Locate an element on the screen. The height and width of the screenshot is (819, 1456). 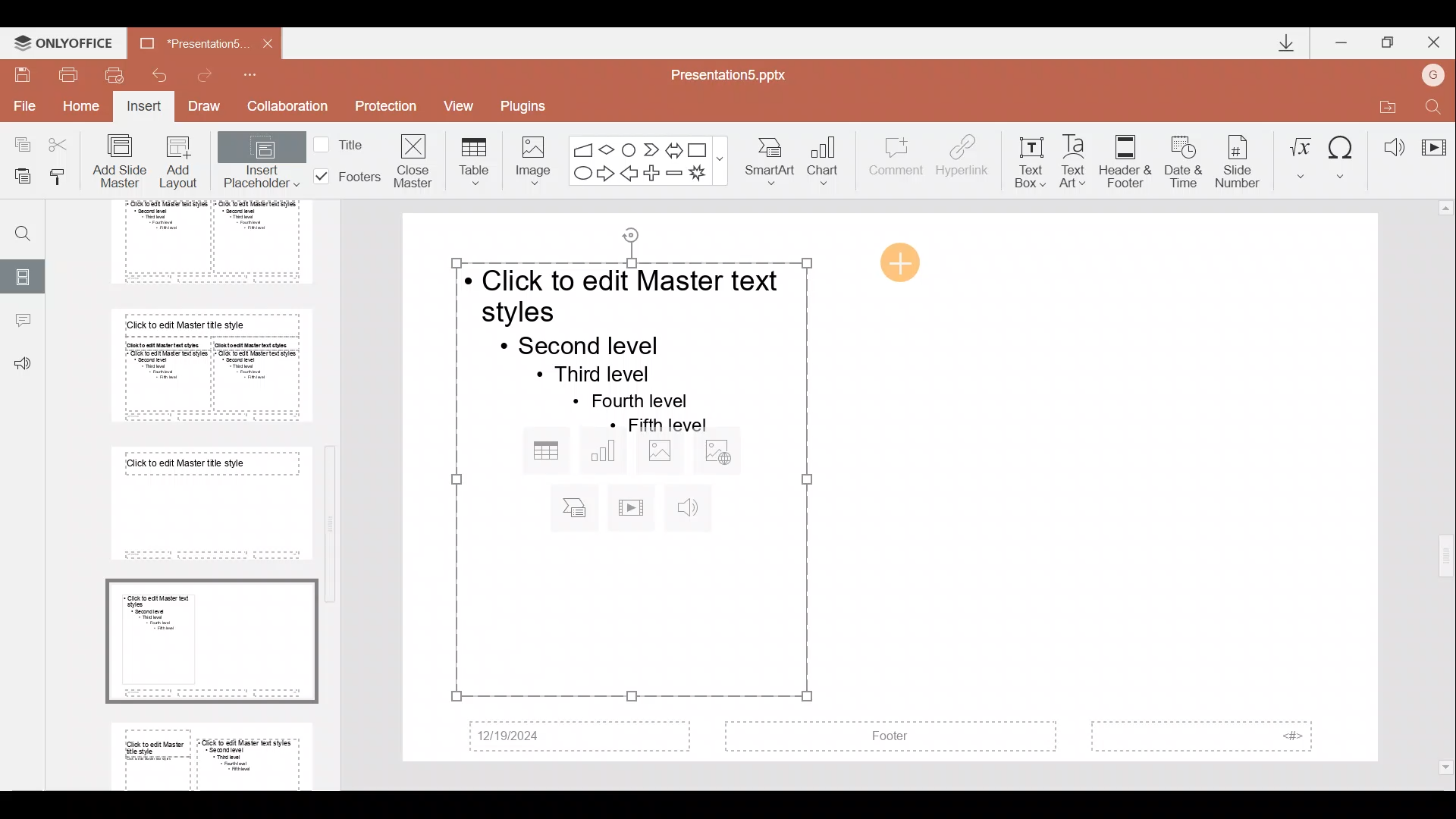
Draw is located at coordinates (209, 108).